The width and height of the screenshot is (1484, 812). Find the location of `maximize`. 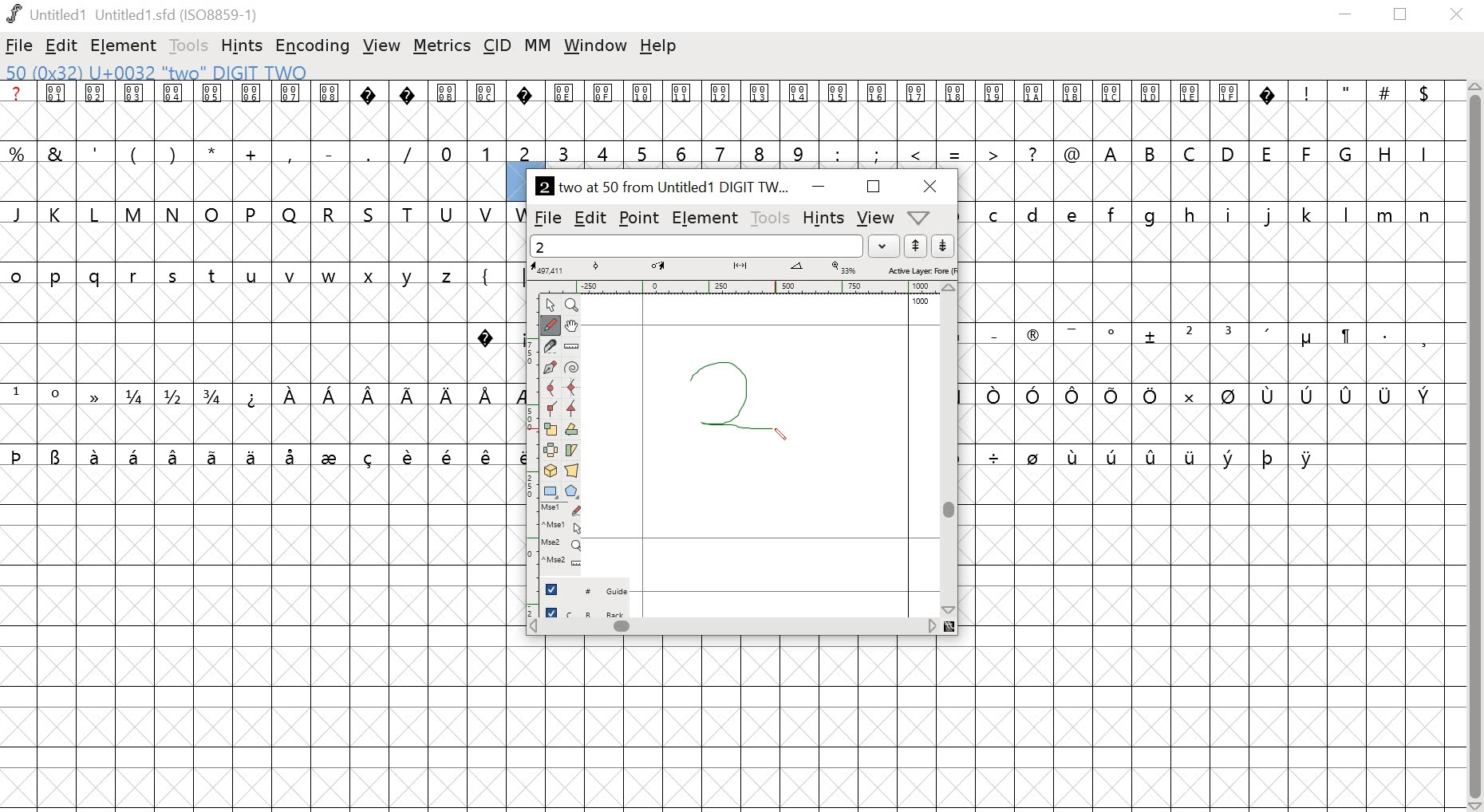

maximize is located at coordinates (874, 187).